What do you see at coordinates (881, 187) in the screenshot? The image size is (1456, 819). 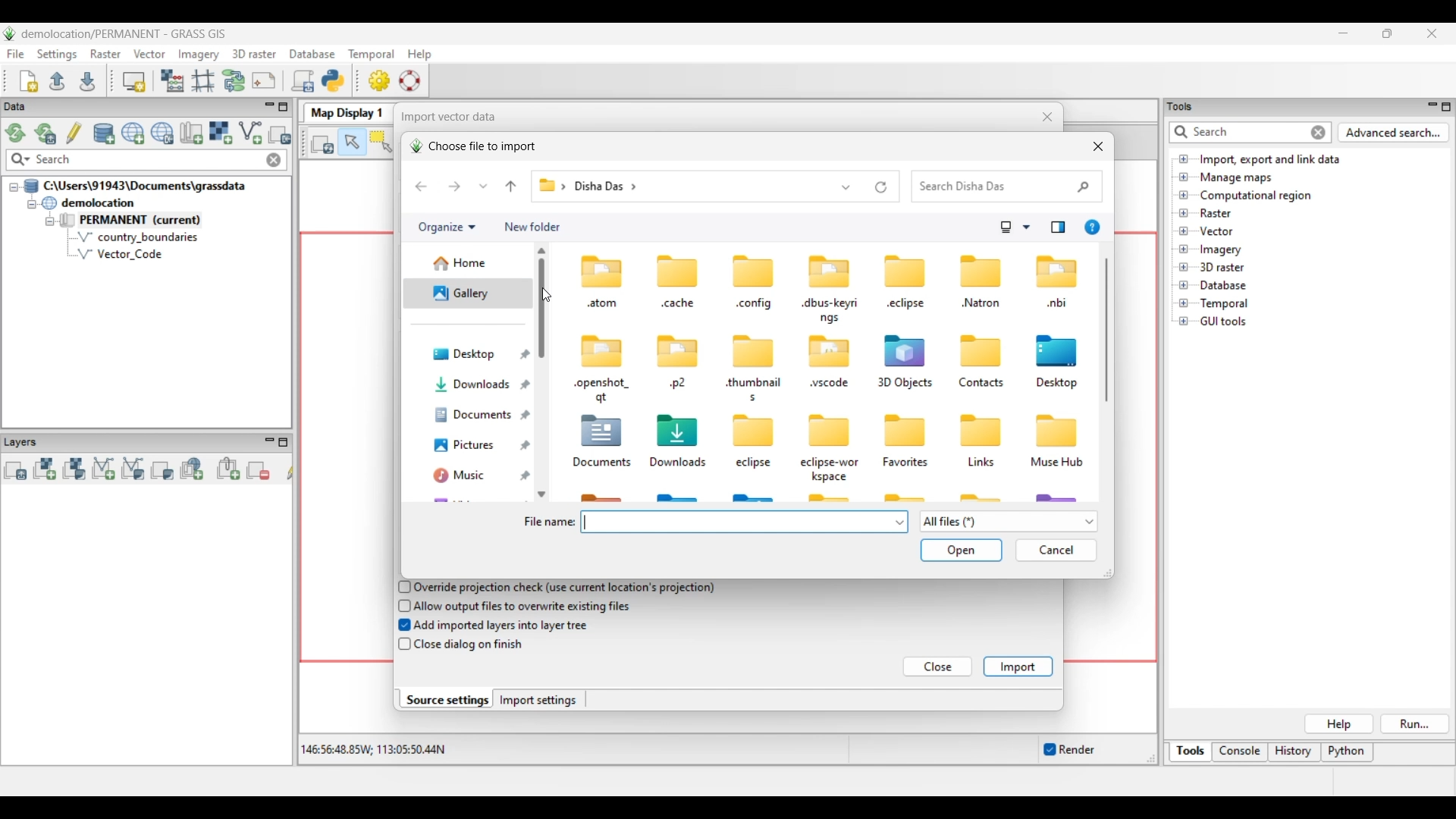 I see `Refresh current folder` at bounding box center [881, 187].